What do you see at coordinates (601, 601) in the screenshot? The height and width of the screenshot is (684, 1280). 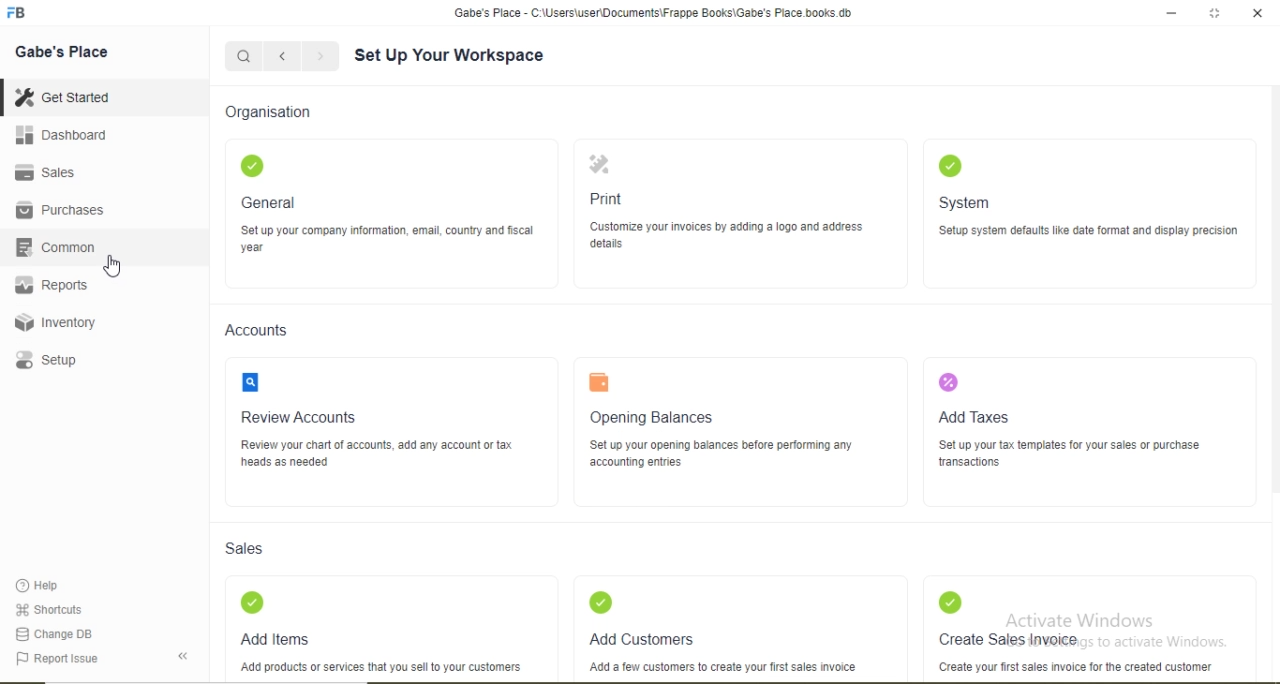 I see `Logo` at bounding box center [601, 601].